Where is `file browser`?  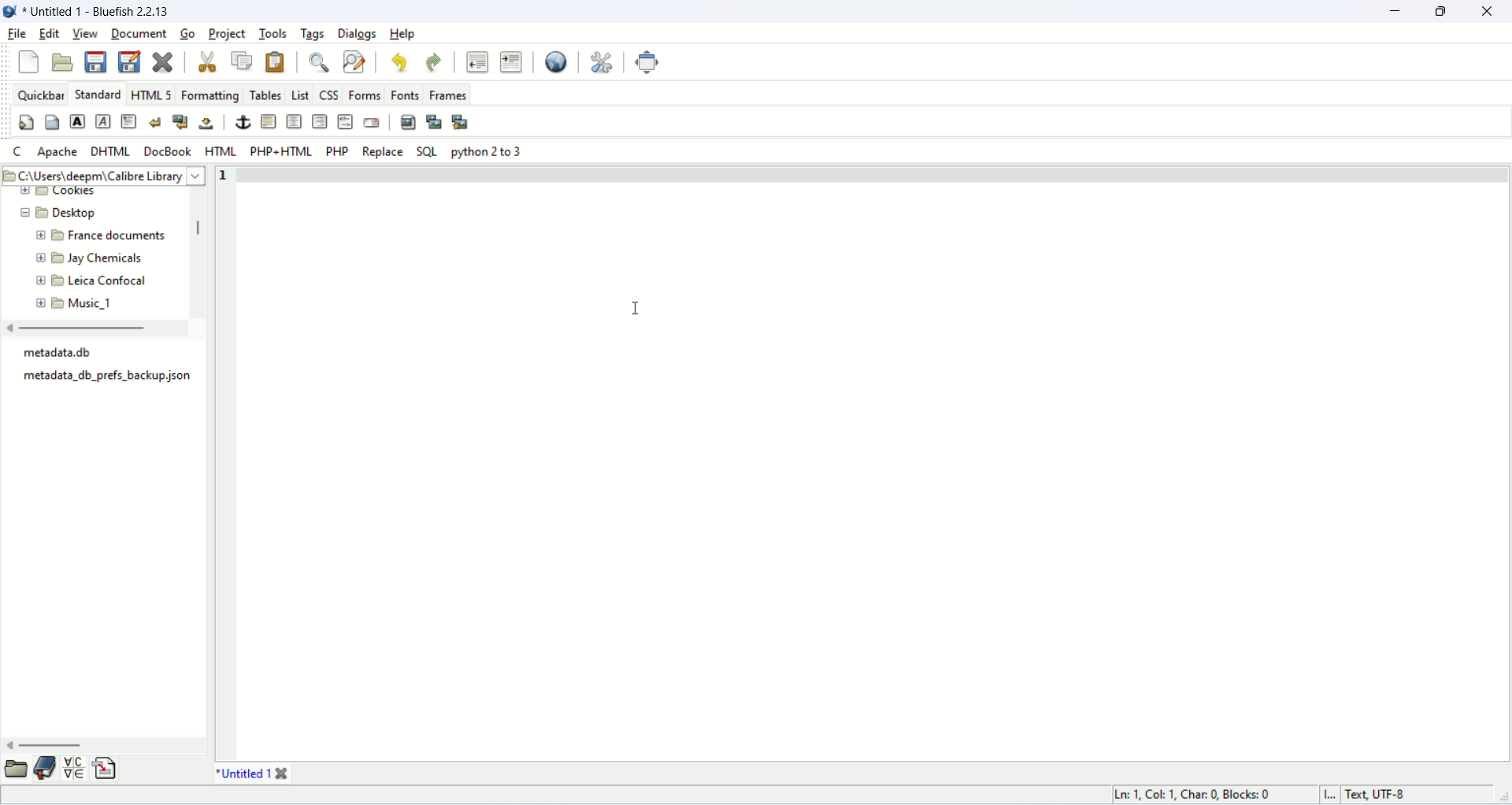 file browser is located at coordinates (16, 769).